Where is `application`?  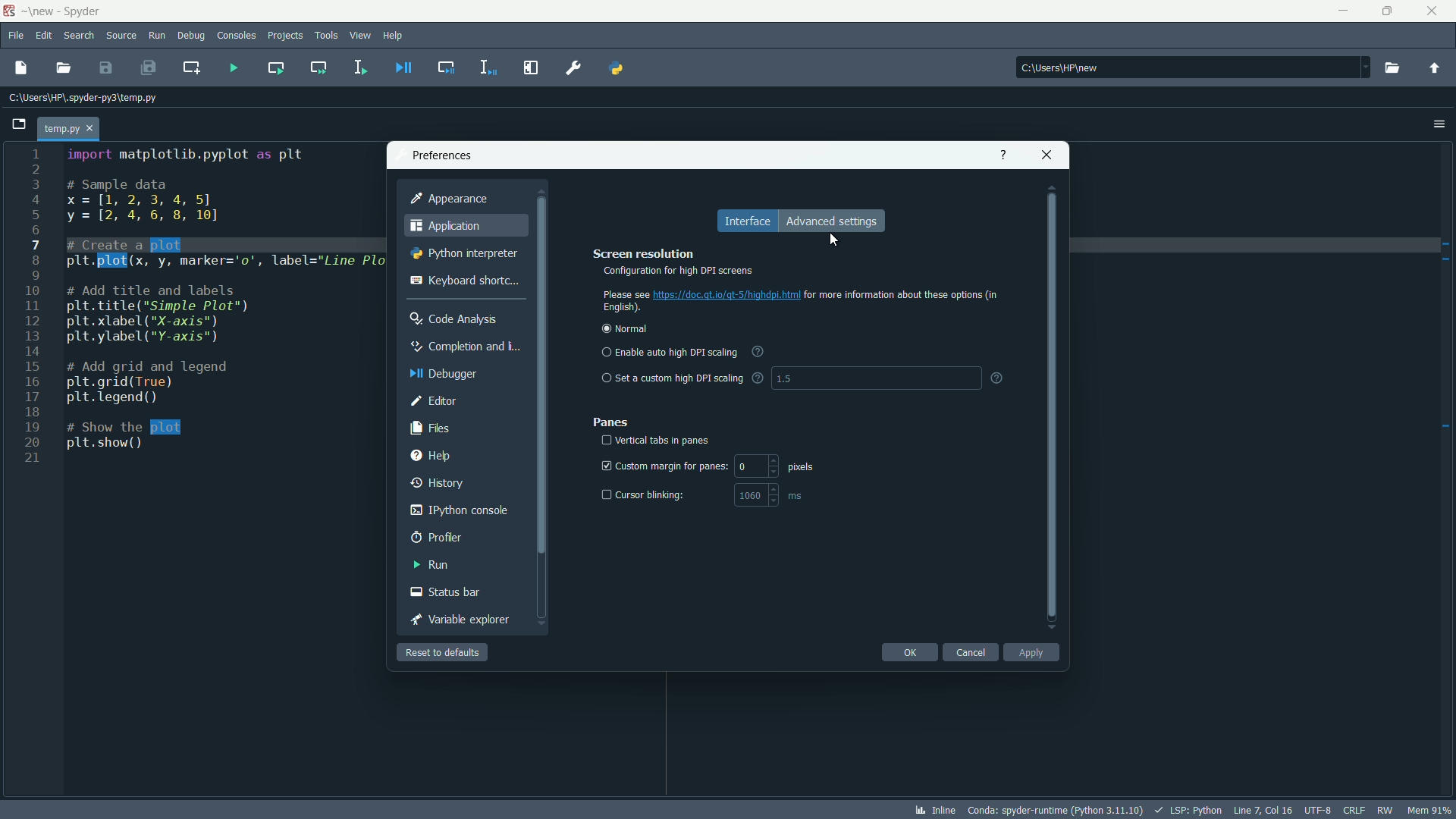
application is located at coordinates (444, 225).